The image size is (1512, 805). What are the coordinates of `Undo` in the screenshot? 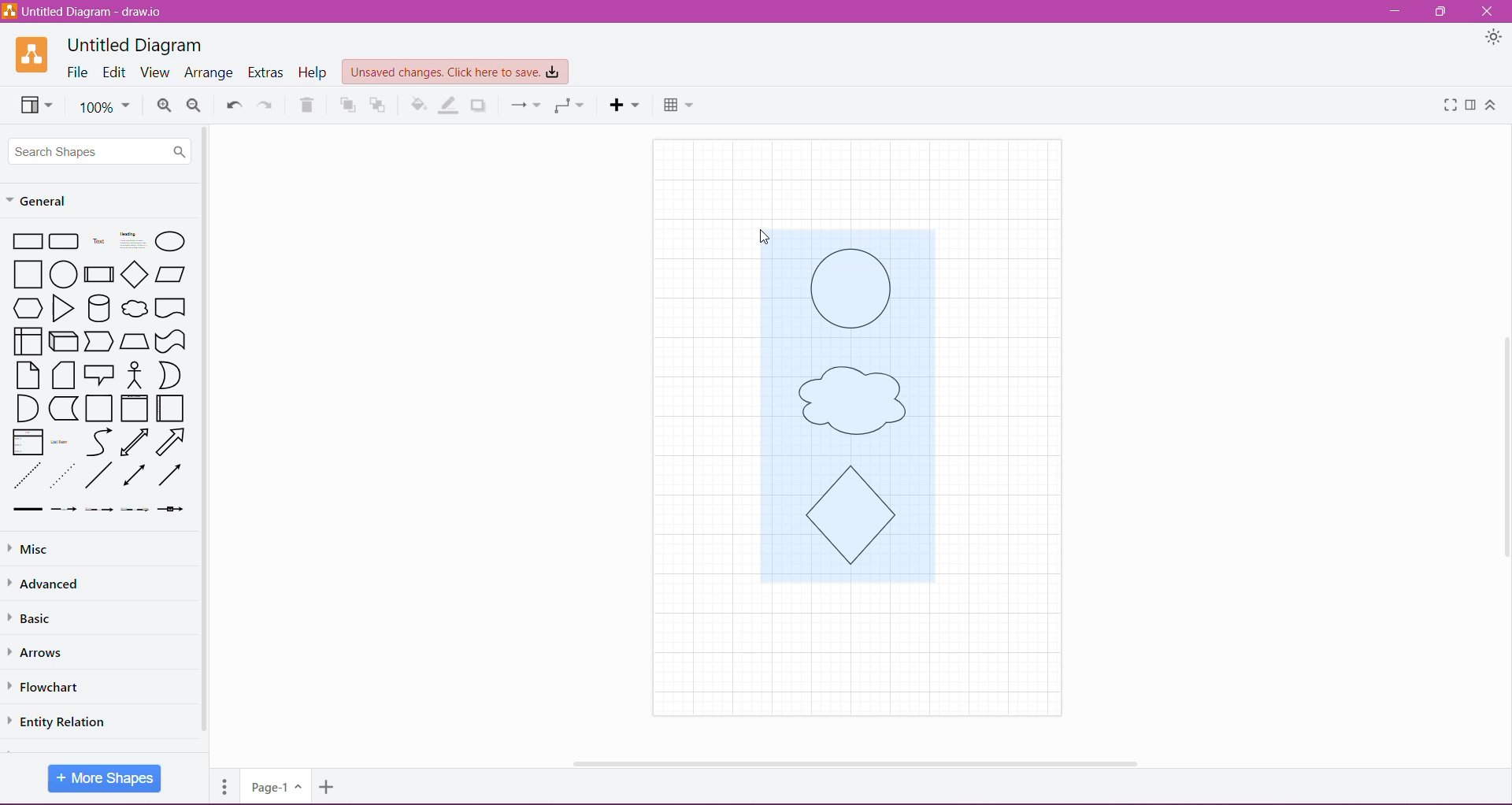 It's located at (232, 103).